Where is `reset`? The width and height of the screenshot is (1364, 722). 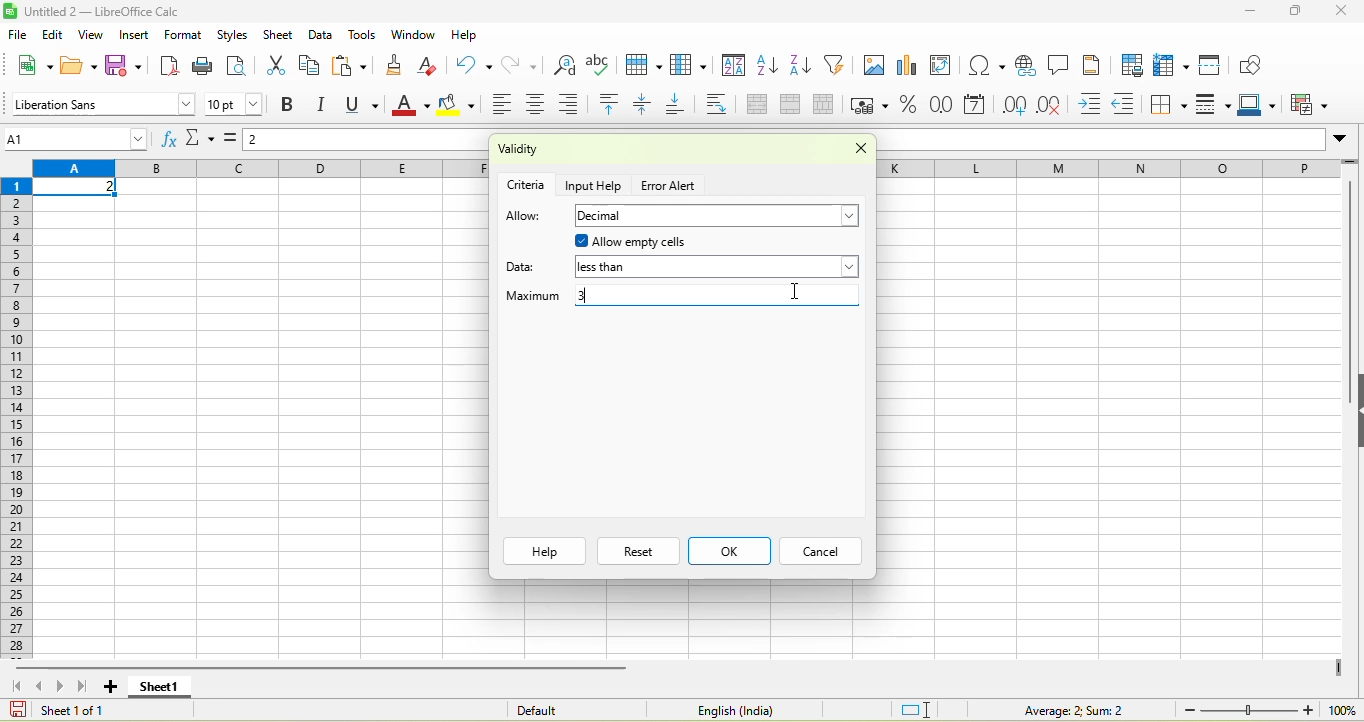 reset is located at coordinates (638, 551).